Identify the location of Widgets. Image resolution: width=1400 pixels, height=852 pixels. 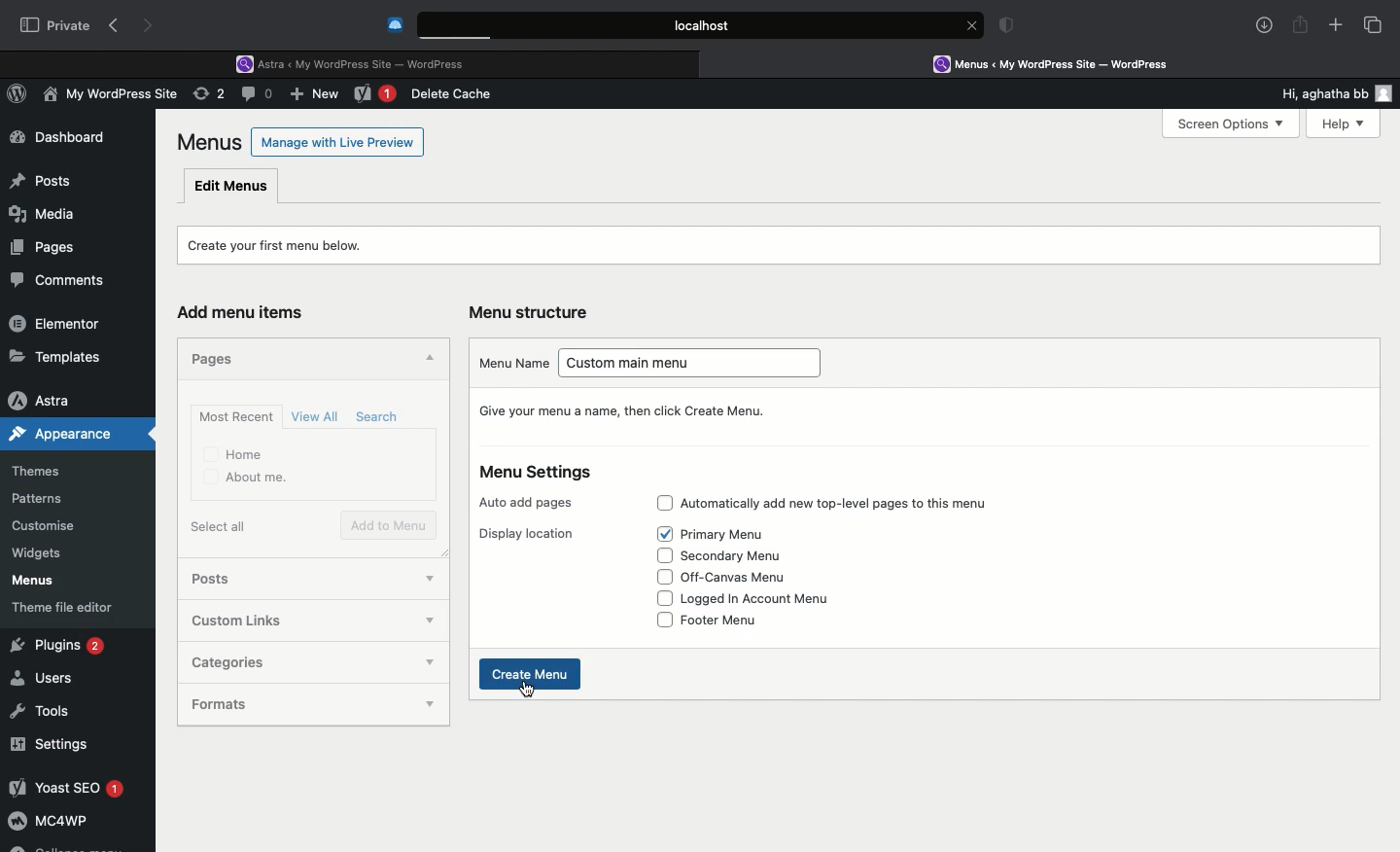
(39, 553).